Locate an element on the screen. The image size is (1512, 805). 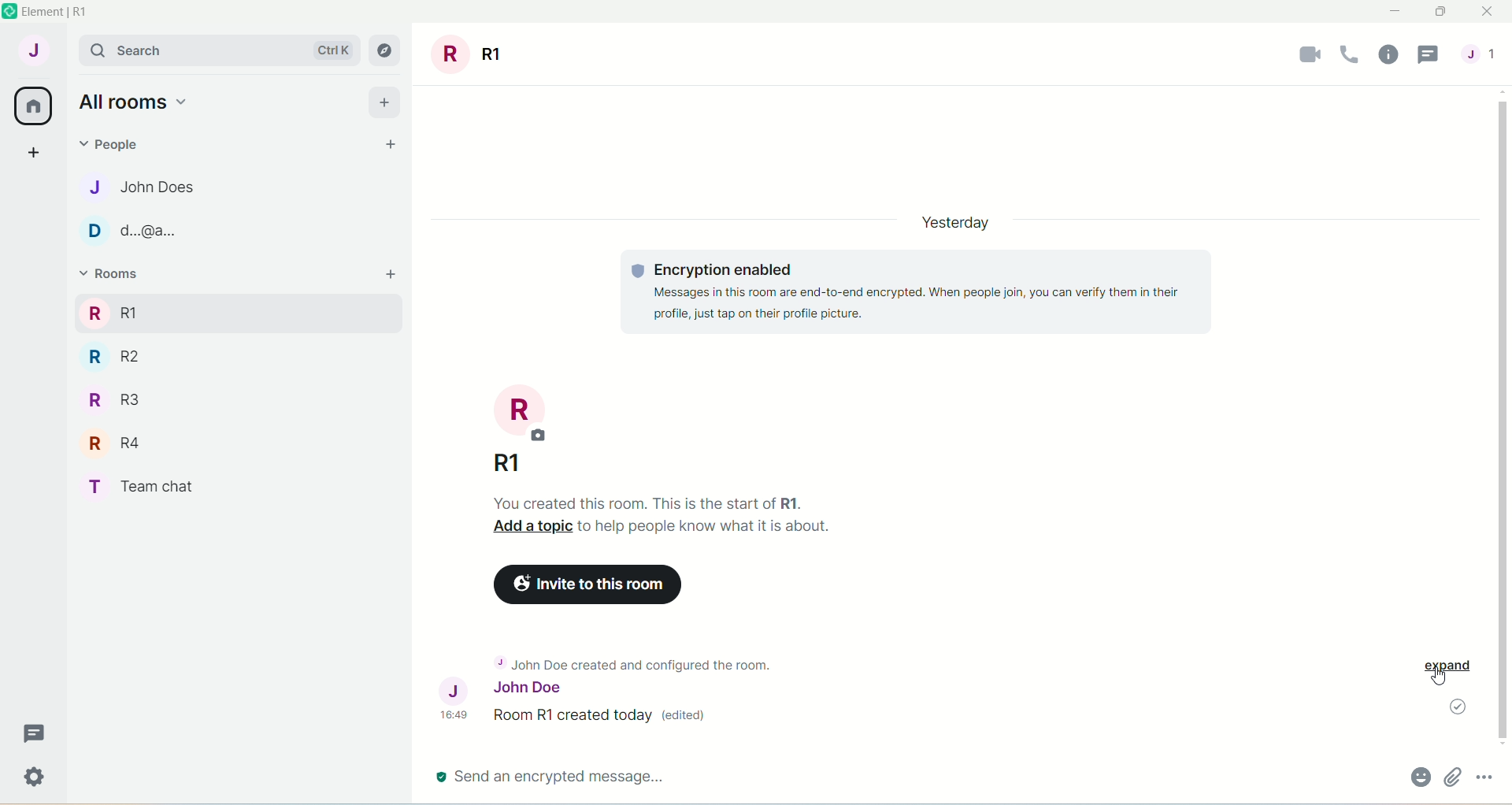
add Rooms is located at coordinates (391, 276).